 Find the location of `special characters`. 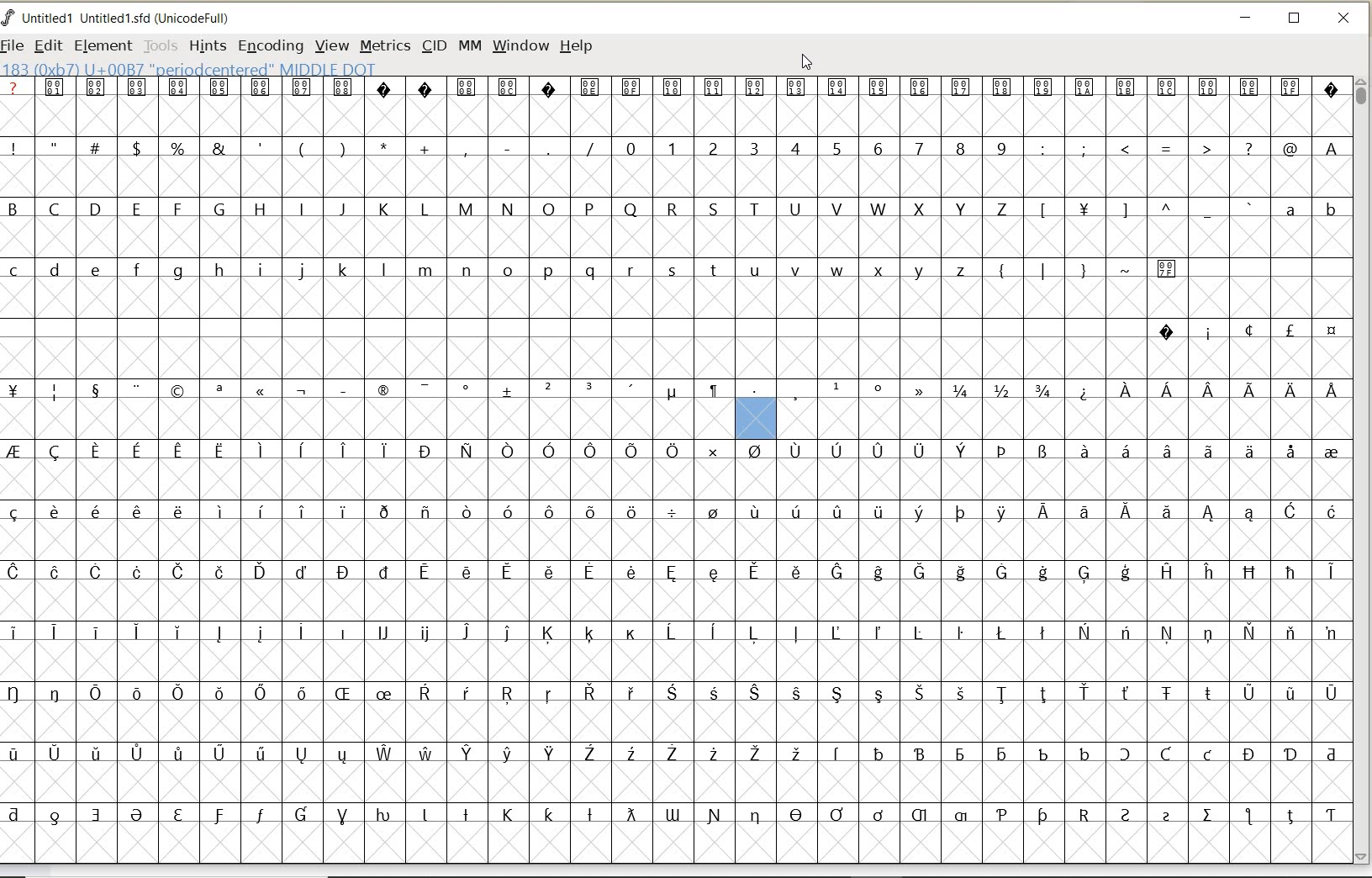

special characters is located at coordinates (676, 386).